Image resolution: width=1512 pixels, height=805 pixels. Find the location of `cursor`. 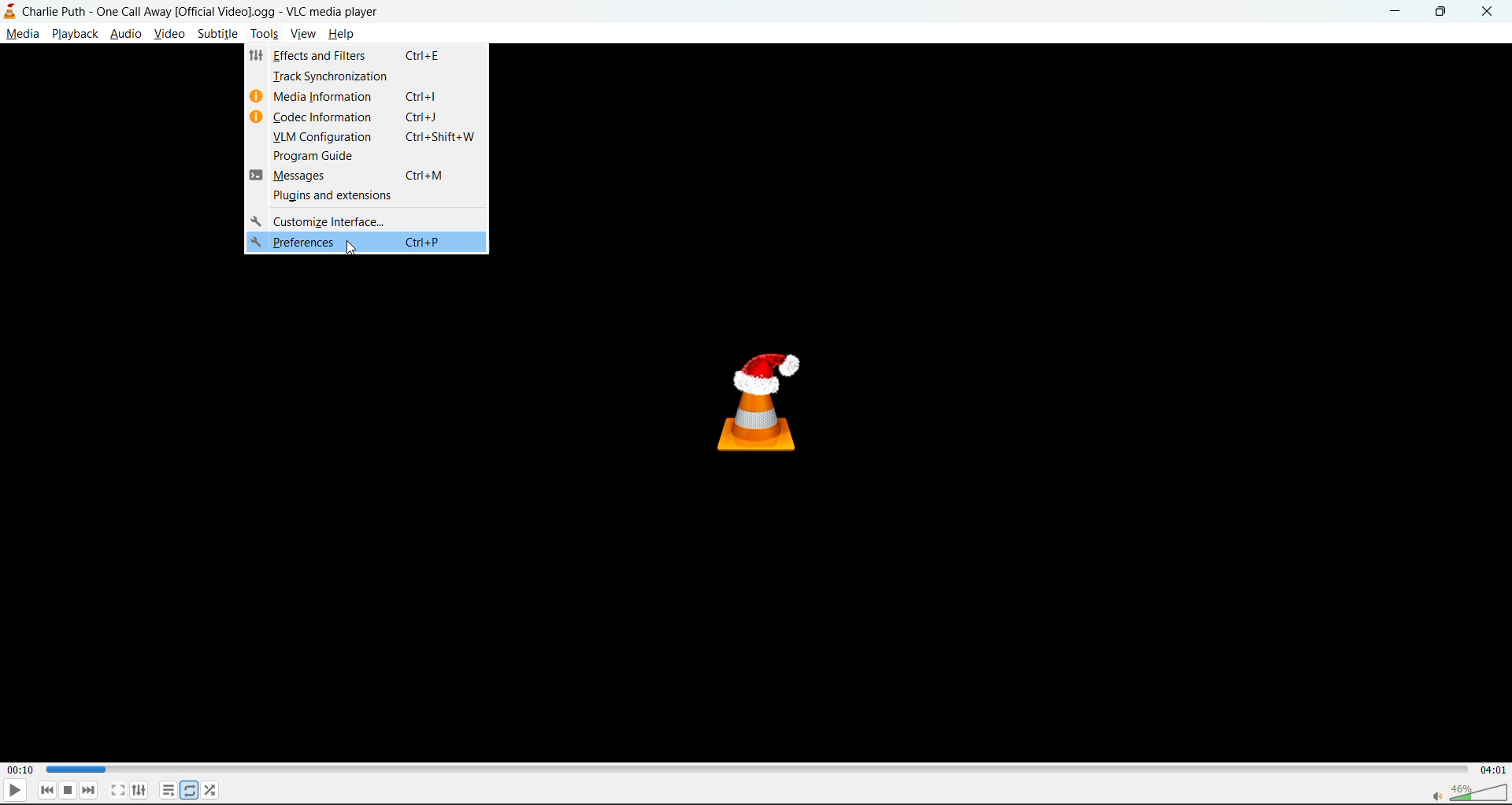

cursor is located at coordinates (350, 251).